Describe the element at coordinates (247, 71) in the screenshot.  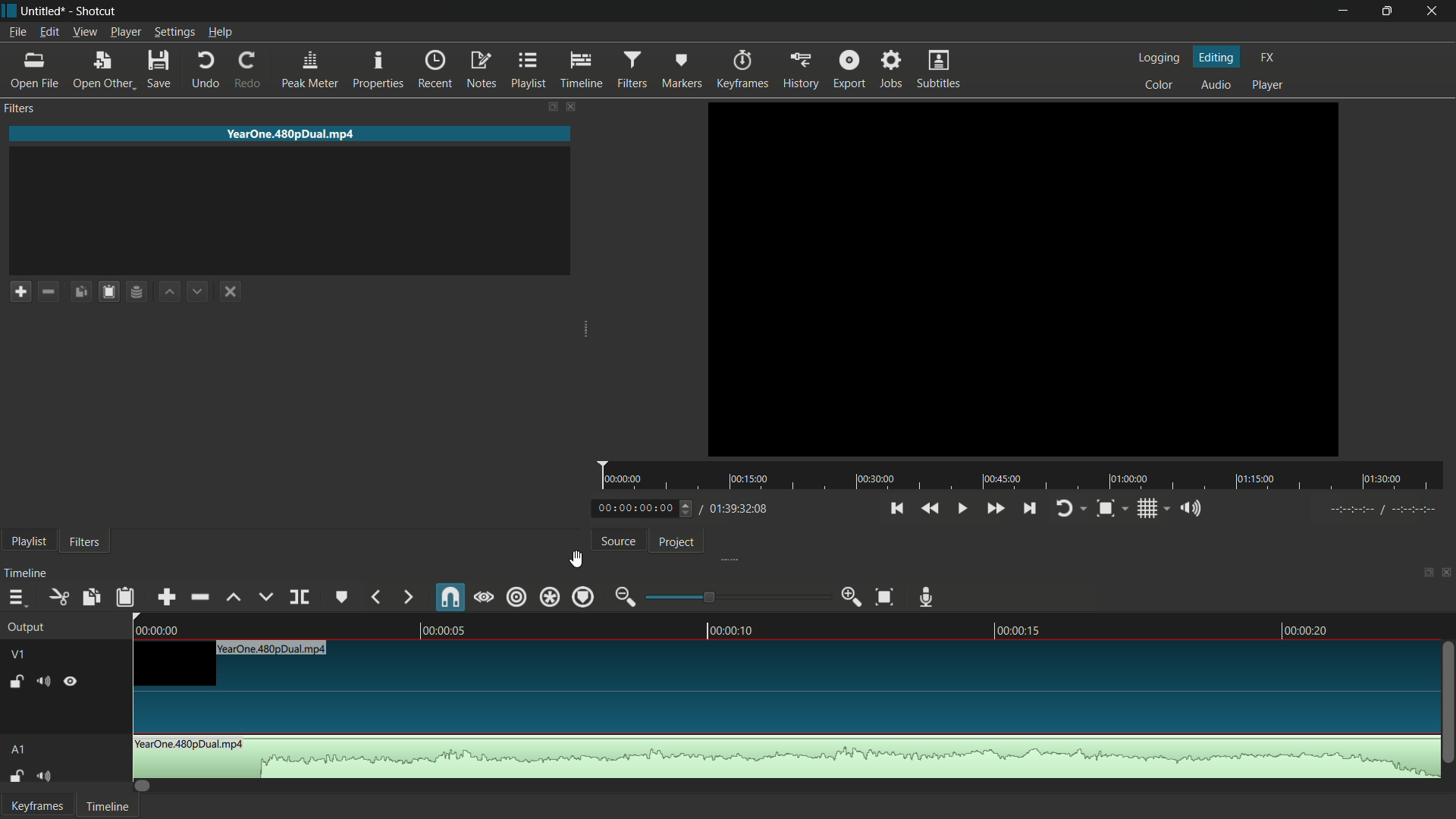
I see `redo` at that location.